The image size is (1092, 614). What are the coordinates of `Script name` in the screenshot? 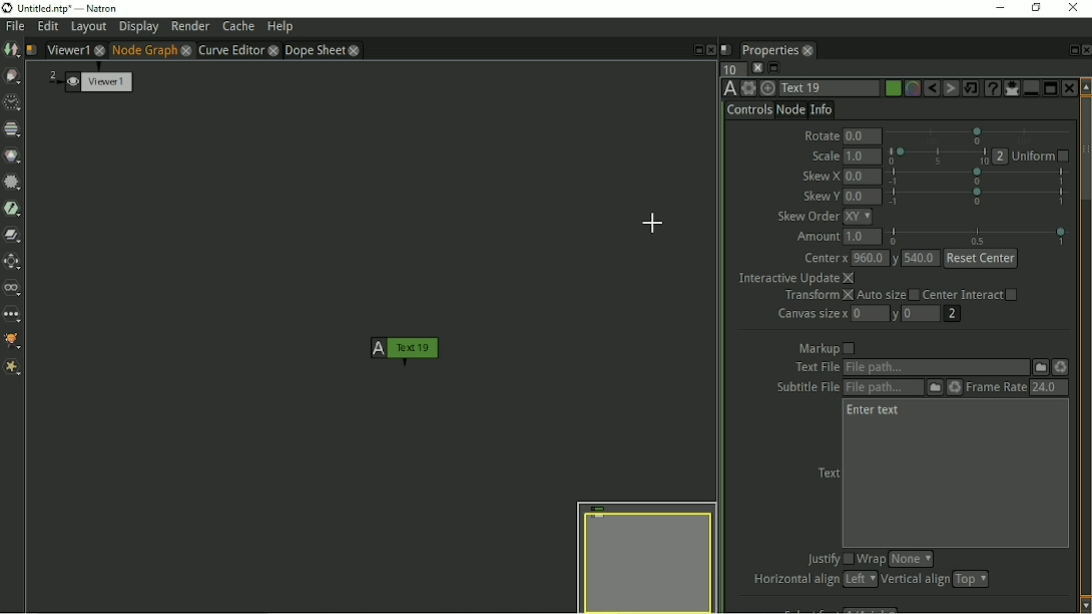 It's located at (33, 51).